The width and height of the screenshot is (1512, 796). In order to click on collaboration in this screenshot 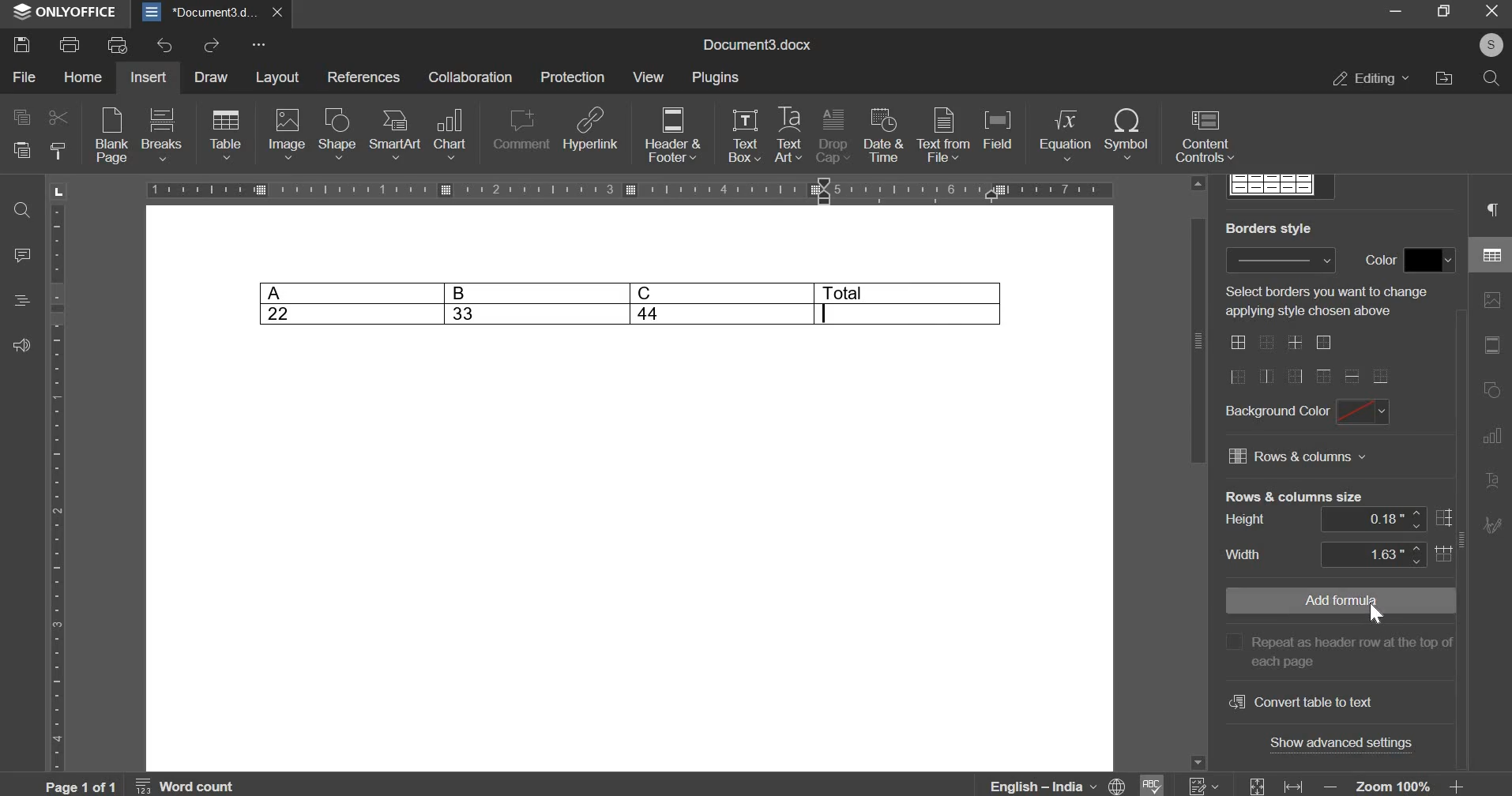, I will do `click(475, 77)`.